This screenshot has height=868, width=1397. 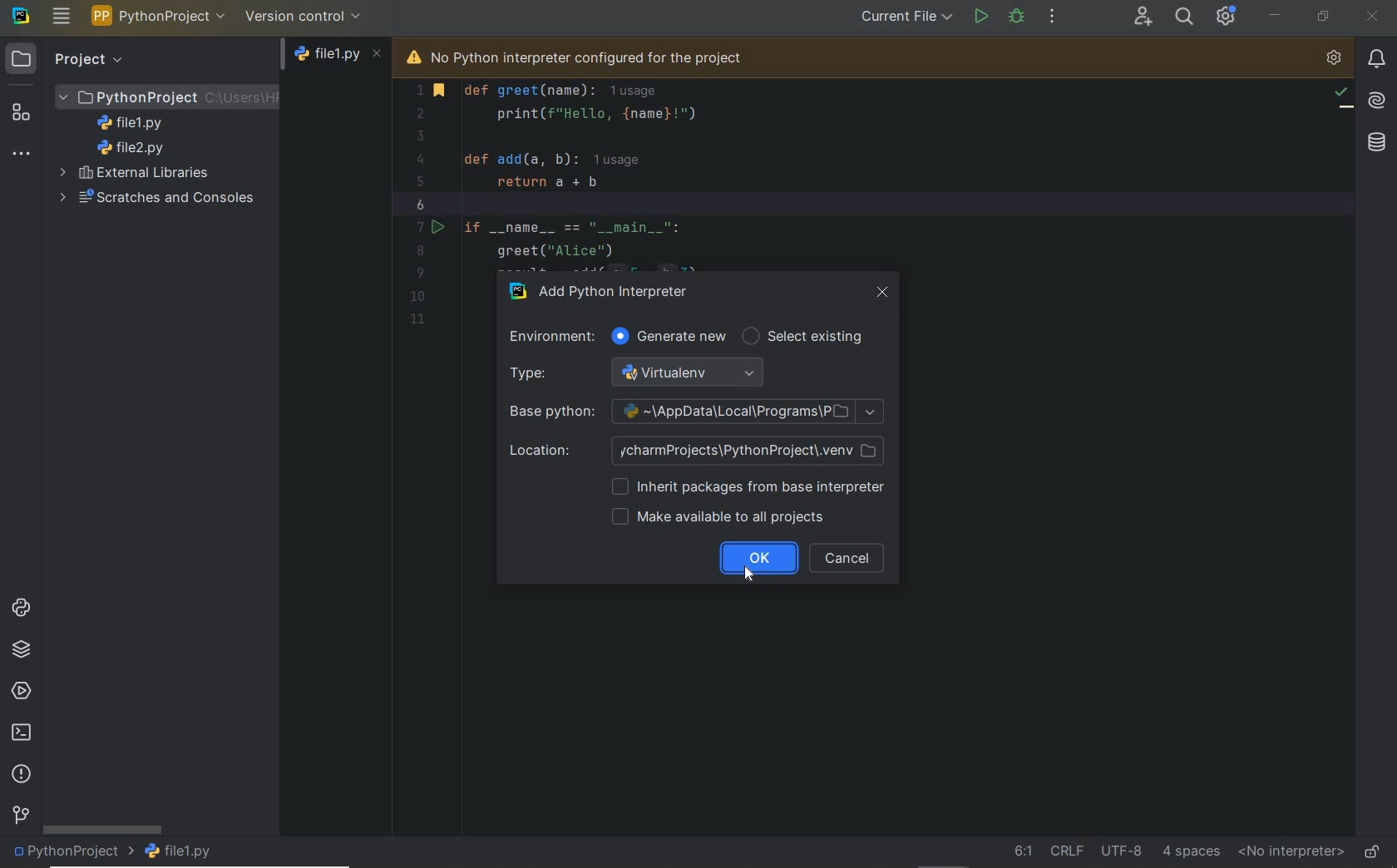 What do you see at coordinates (1121, 849) in the screenshot?
I see `file encoding` at bounding box center [1121, 849].